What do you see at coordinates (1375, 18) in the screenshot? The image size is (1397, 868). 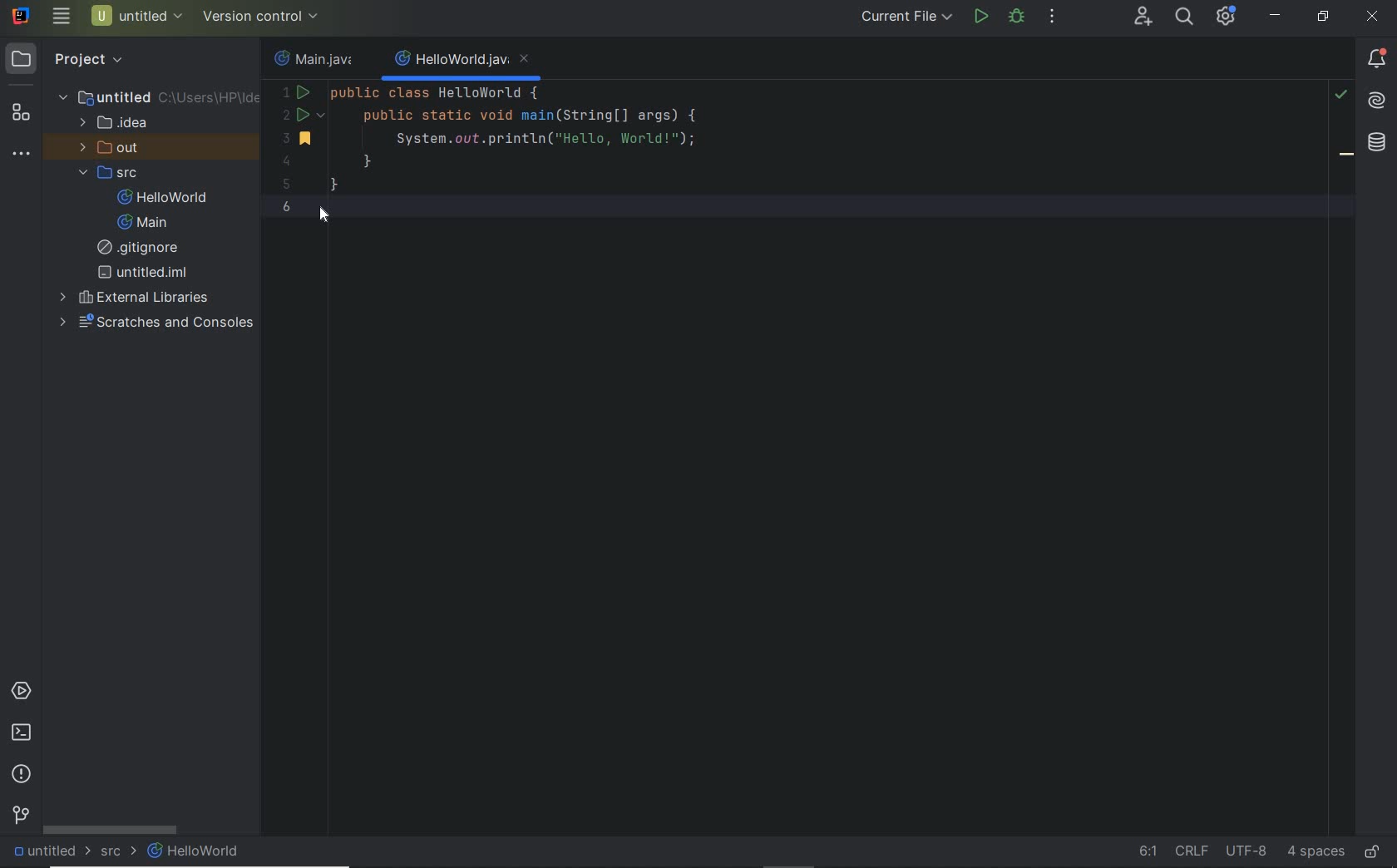 I see `close` at bounding box center [1375, 18].